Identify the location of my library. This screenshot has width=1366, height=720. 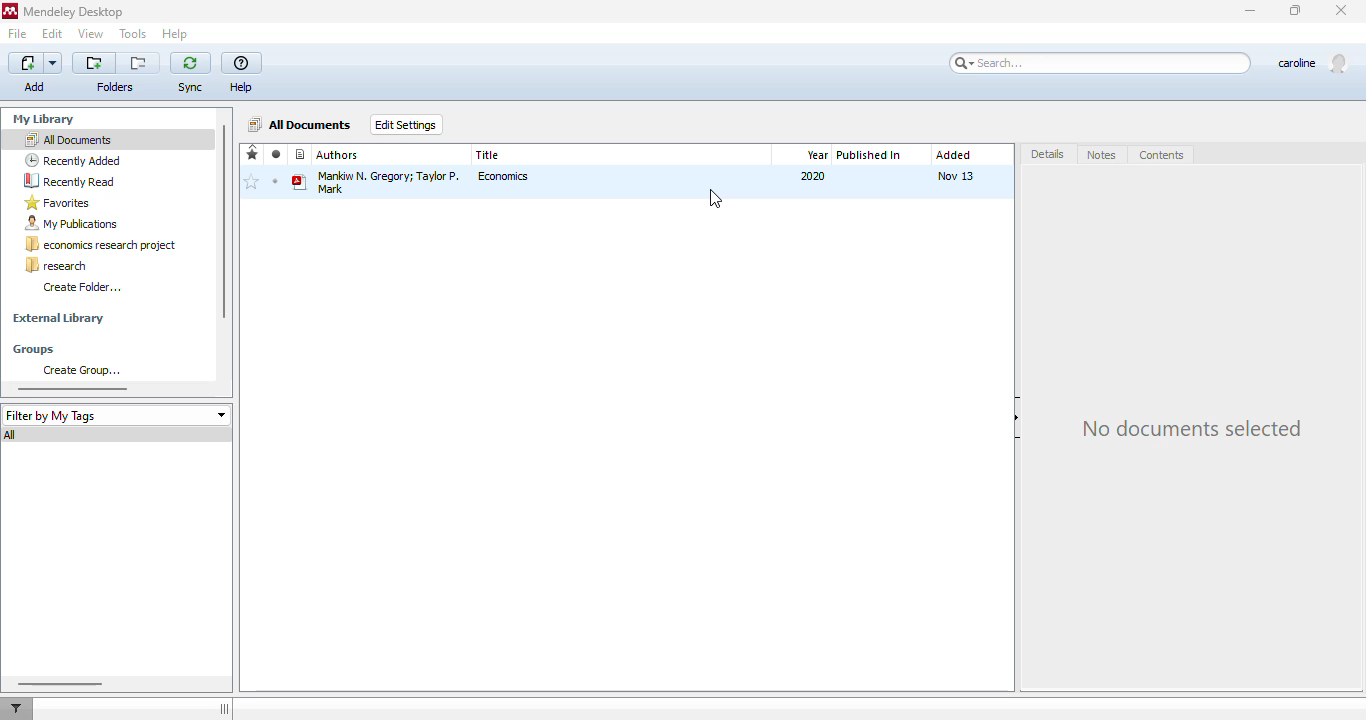
(44, 118).